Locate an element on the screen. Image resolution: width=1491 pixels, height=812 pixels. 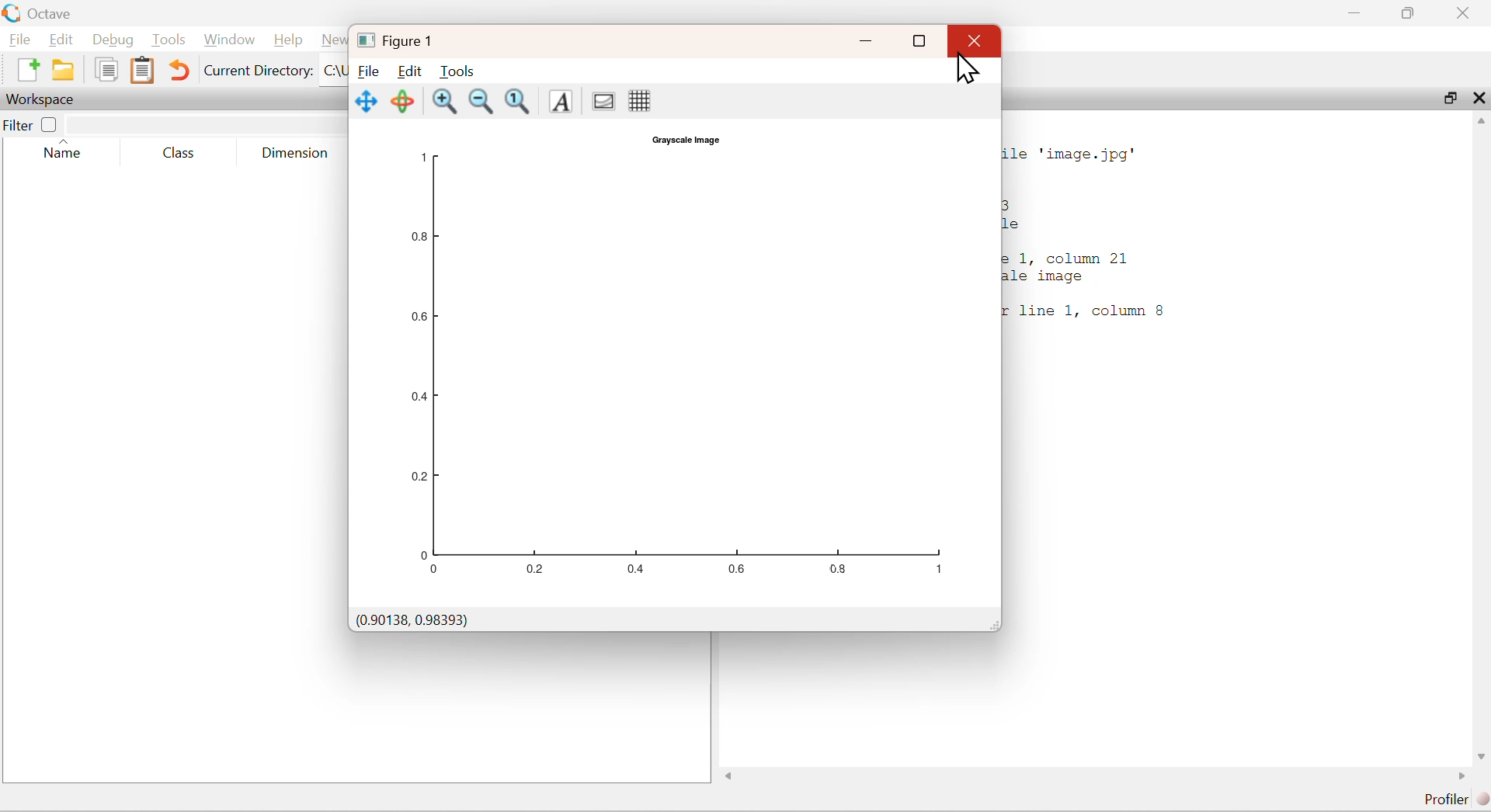
check box is located at coordinates (50, 124).